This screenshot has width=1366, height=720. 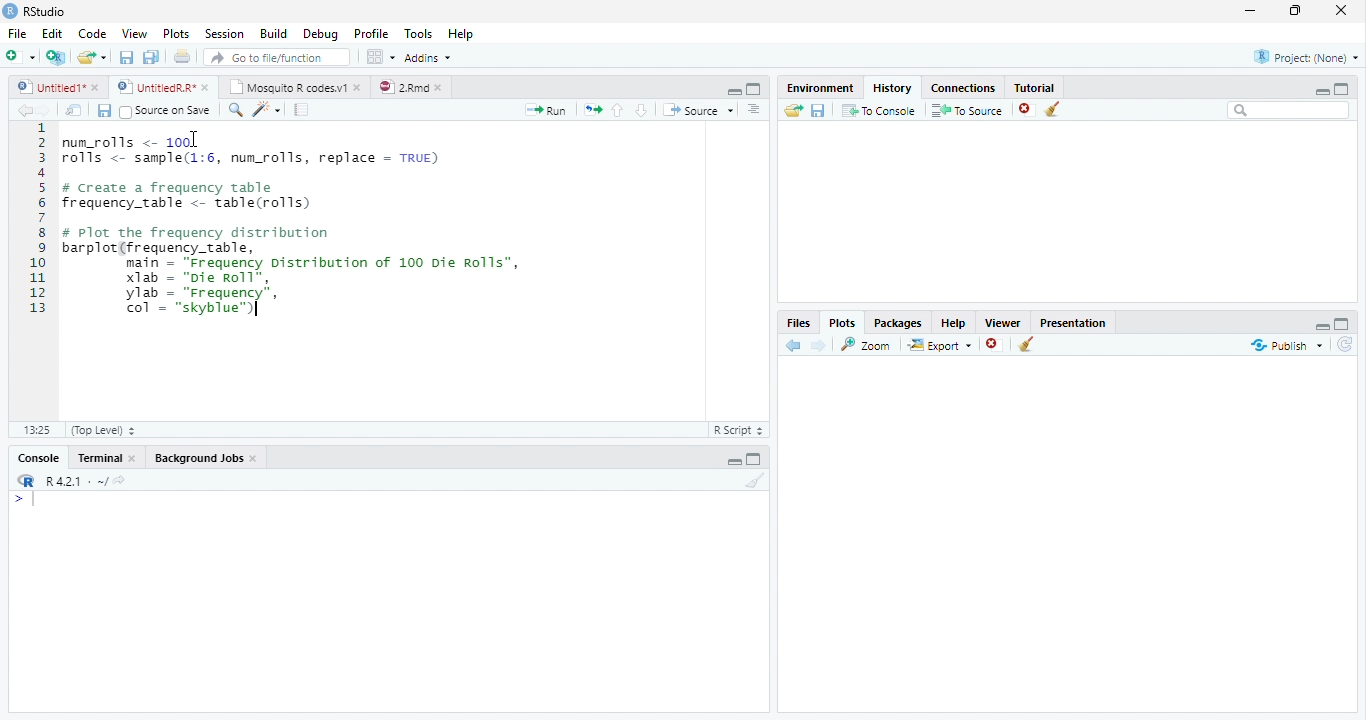 I want to click on Project: (None), so click(x=1305, y=55).